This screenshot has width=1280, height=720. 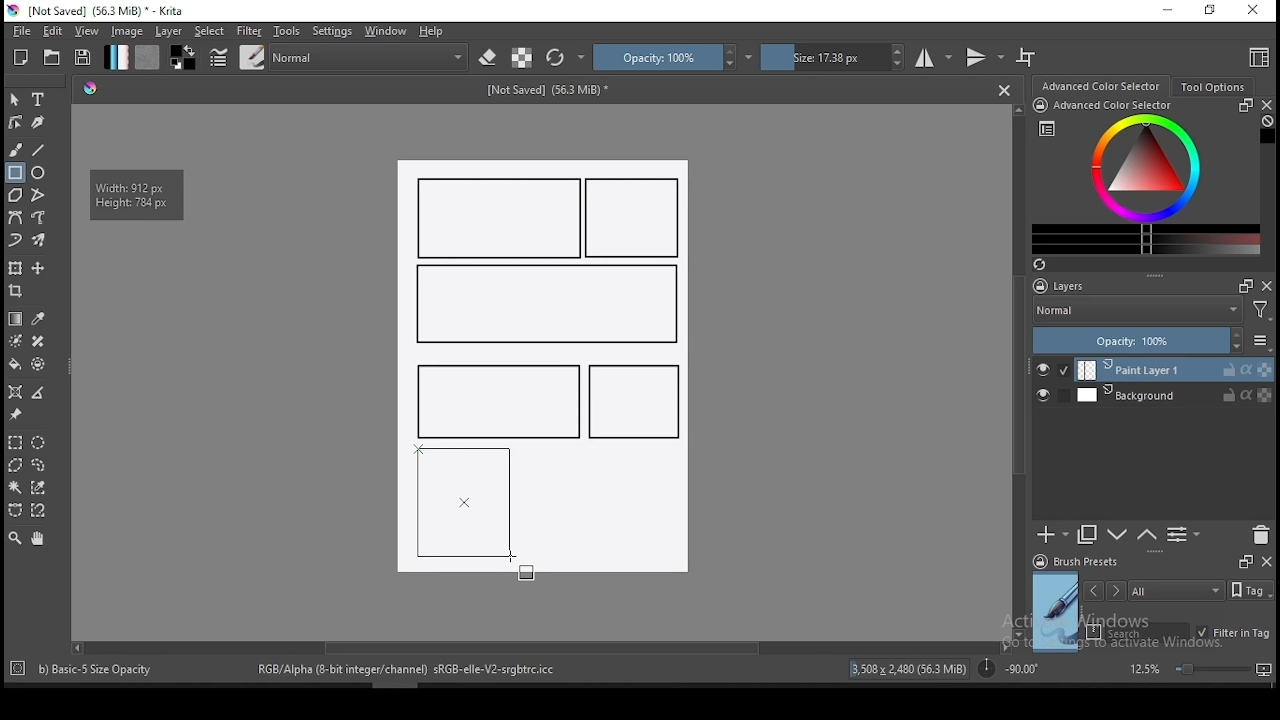 What do you see at coordinates (52, 30) in the screenshot?
I see `edit` at bounding box center [52, 30].